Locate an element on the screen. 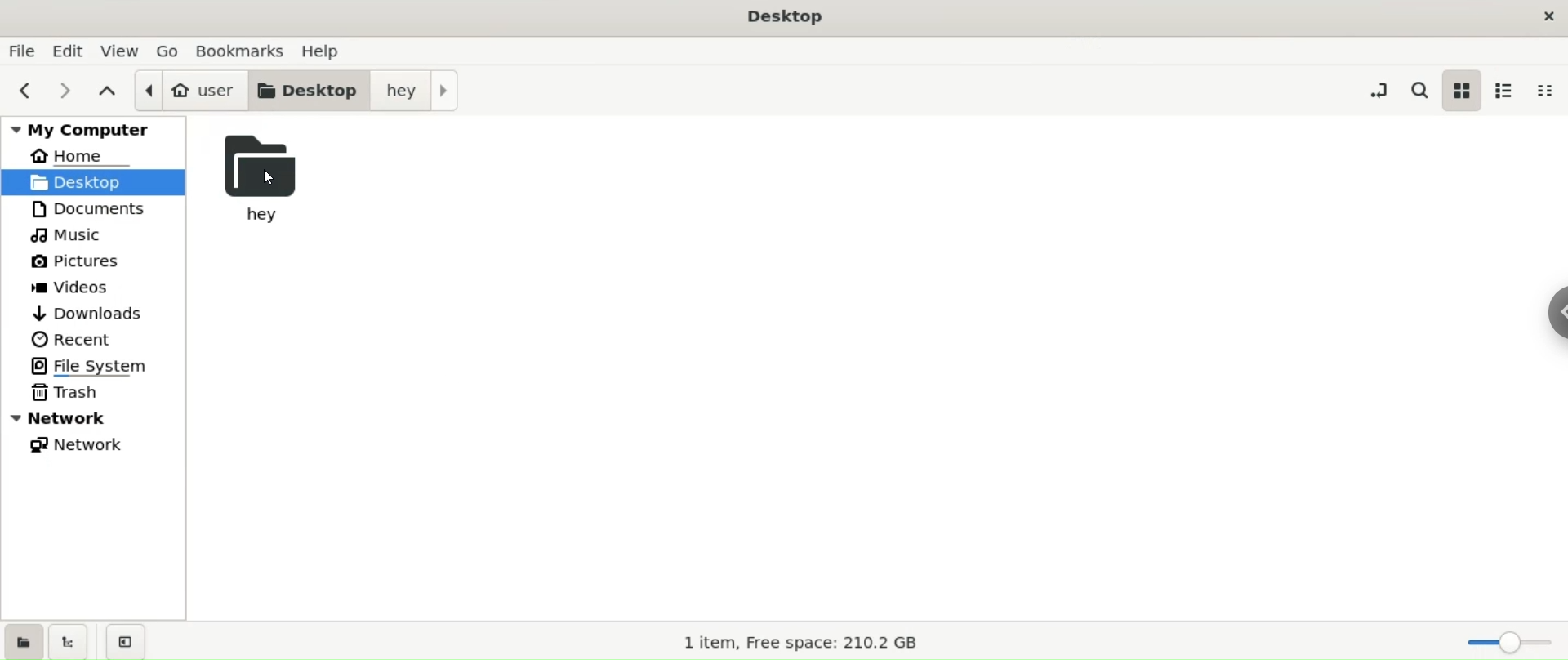 The width and height of the screenshot is (1568, 660). parent folder is located at coordinates (105, 91).